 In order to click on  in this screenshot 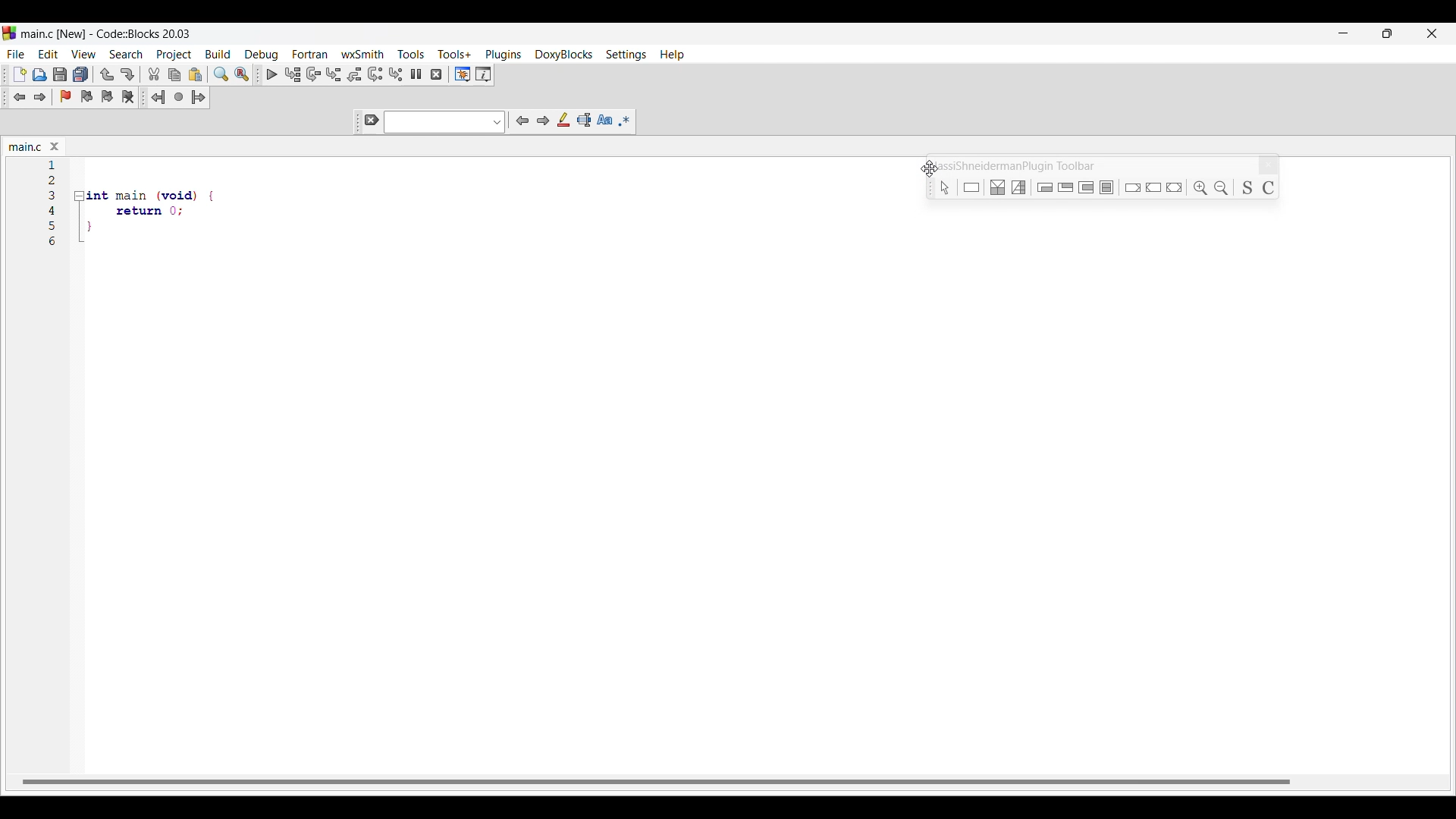, I will do `click(55, 243)`.